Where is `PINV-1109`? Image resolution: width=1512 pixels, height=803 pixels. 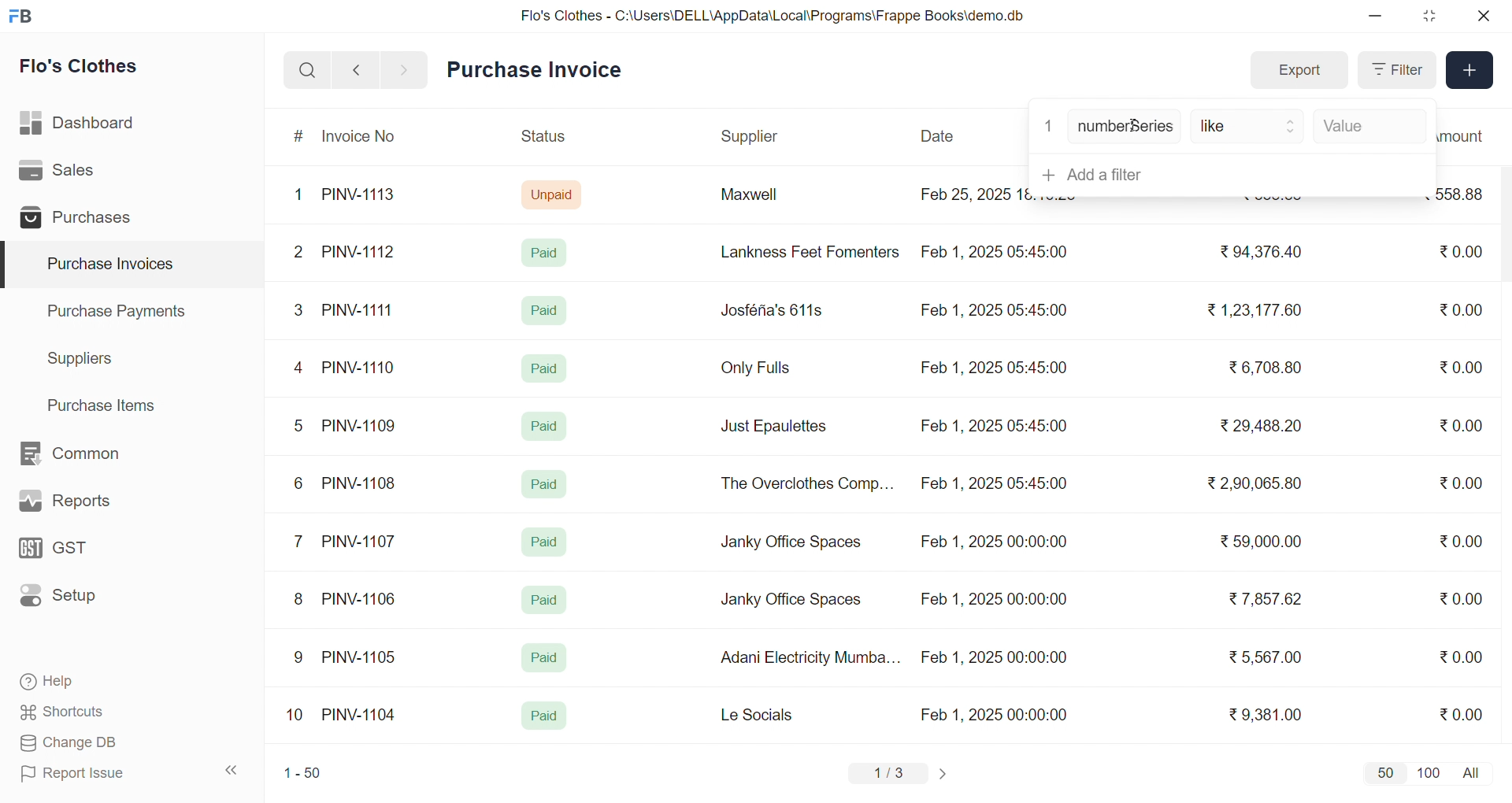
PINV-1109 is located at coordinates (361, 425).